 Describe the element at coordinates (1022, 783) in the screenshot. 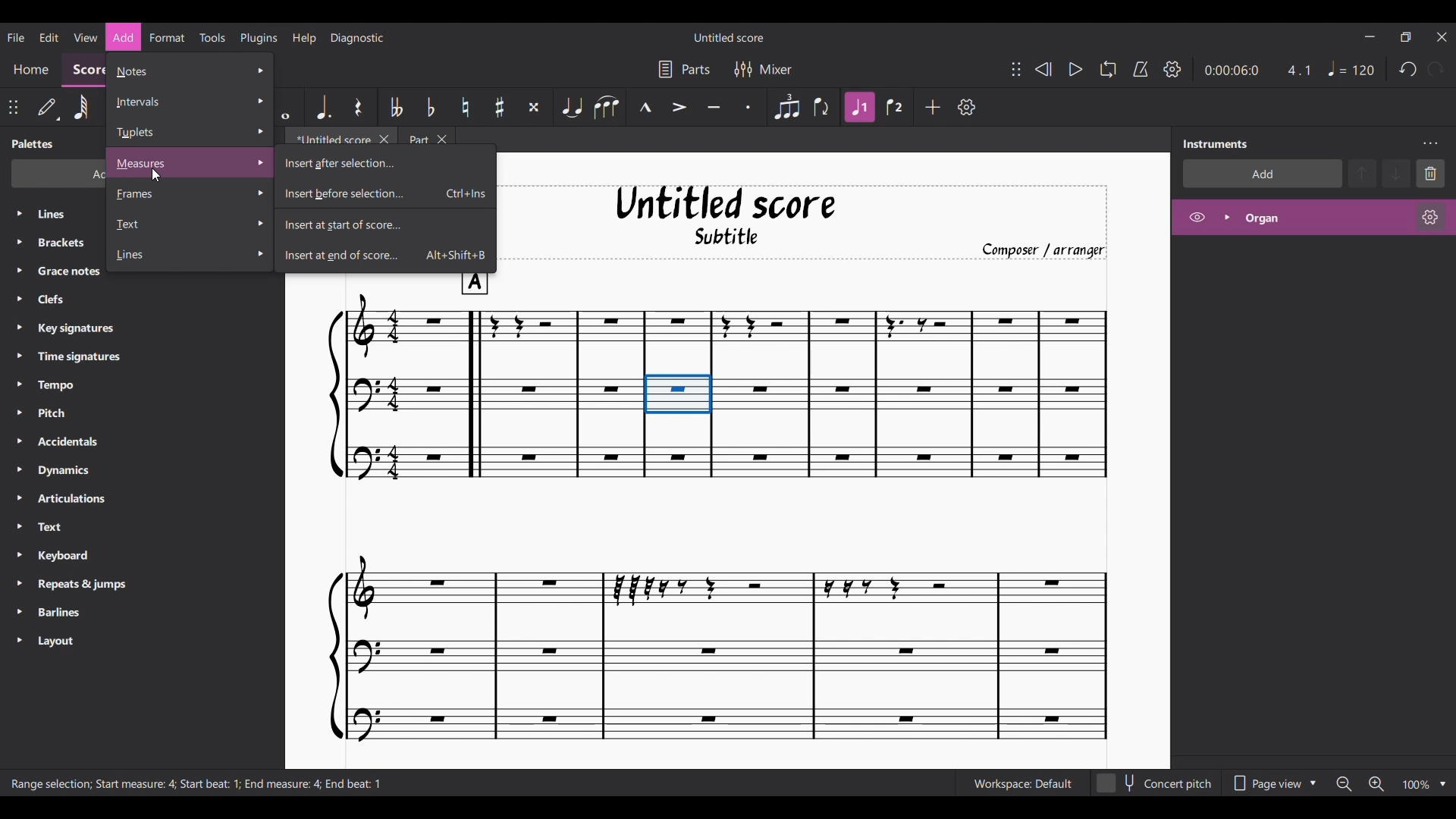

I see `Current Workspace setting` at that location.